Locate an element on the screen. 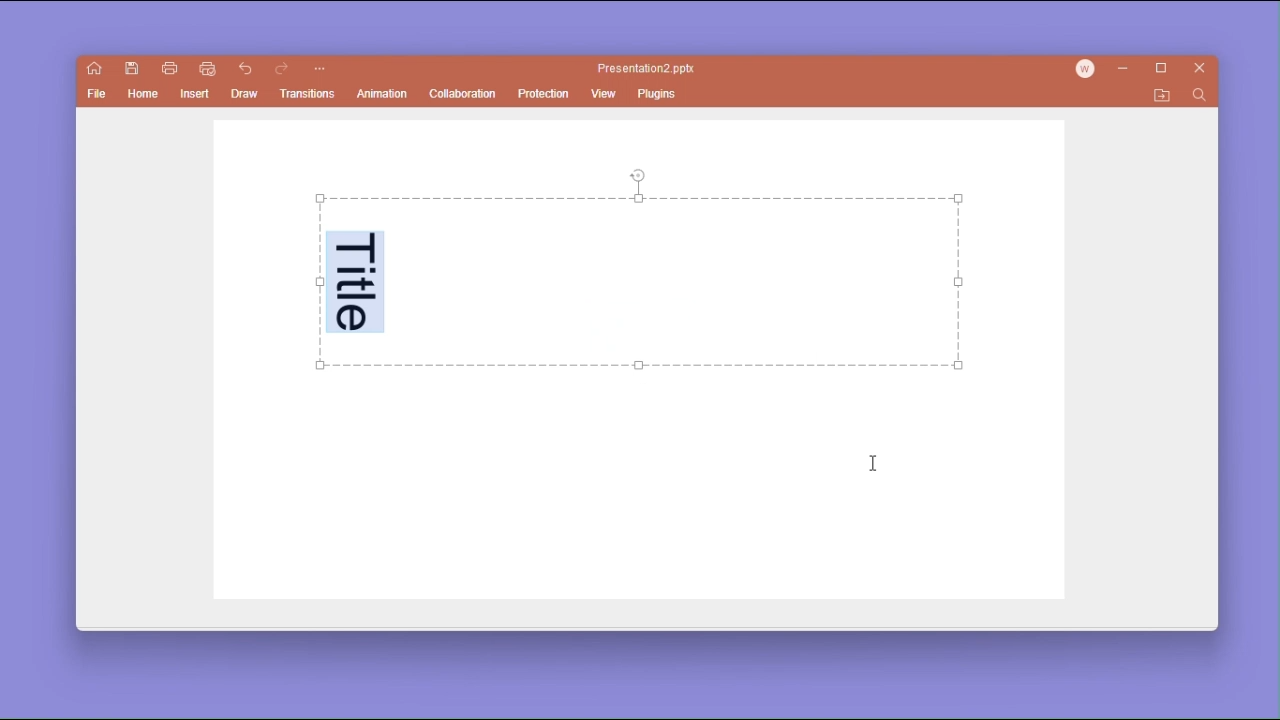  Up rotated title text is located at coordinates (355, 280).